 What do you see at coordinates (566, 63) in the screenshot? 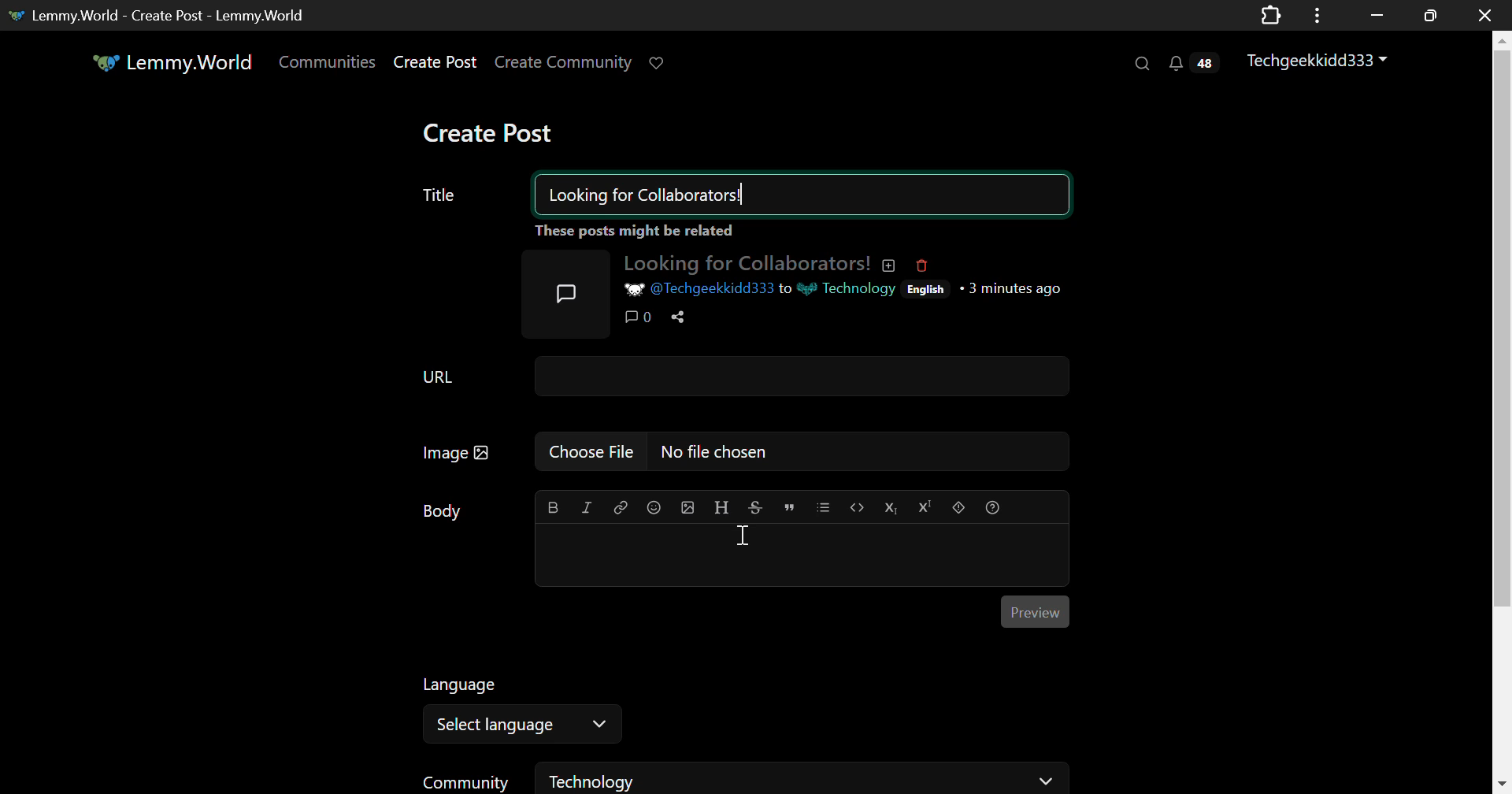
I see `Create Community` at bounding box center [566, 63].